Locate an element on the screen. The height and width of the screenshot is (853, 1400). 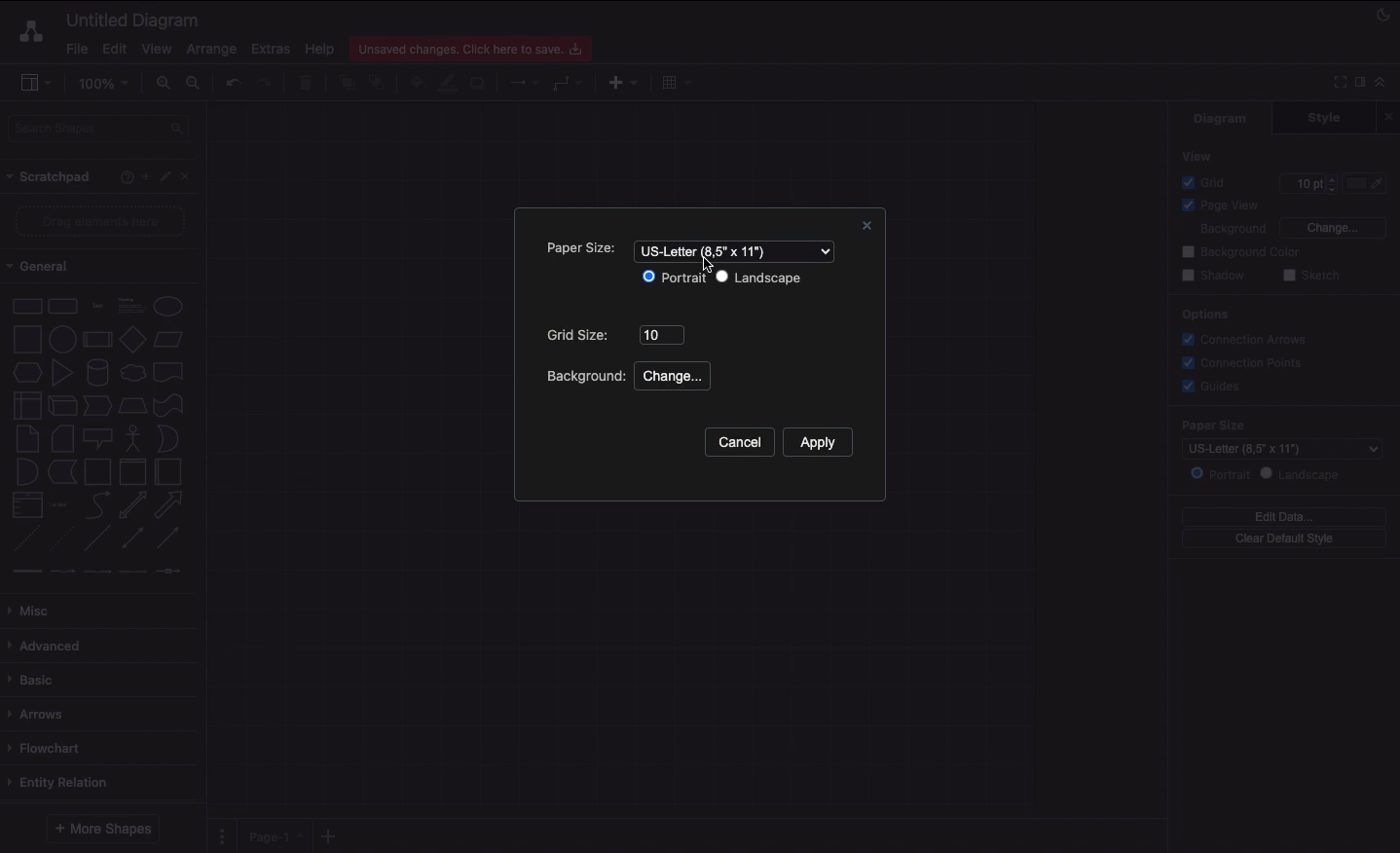
connector 4 is located at coordinates (134, 570).